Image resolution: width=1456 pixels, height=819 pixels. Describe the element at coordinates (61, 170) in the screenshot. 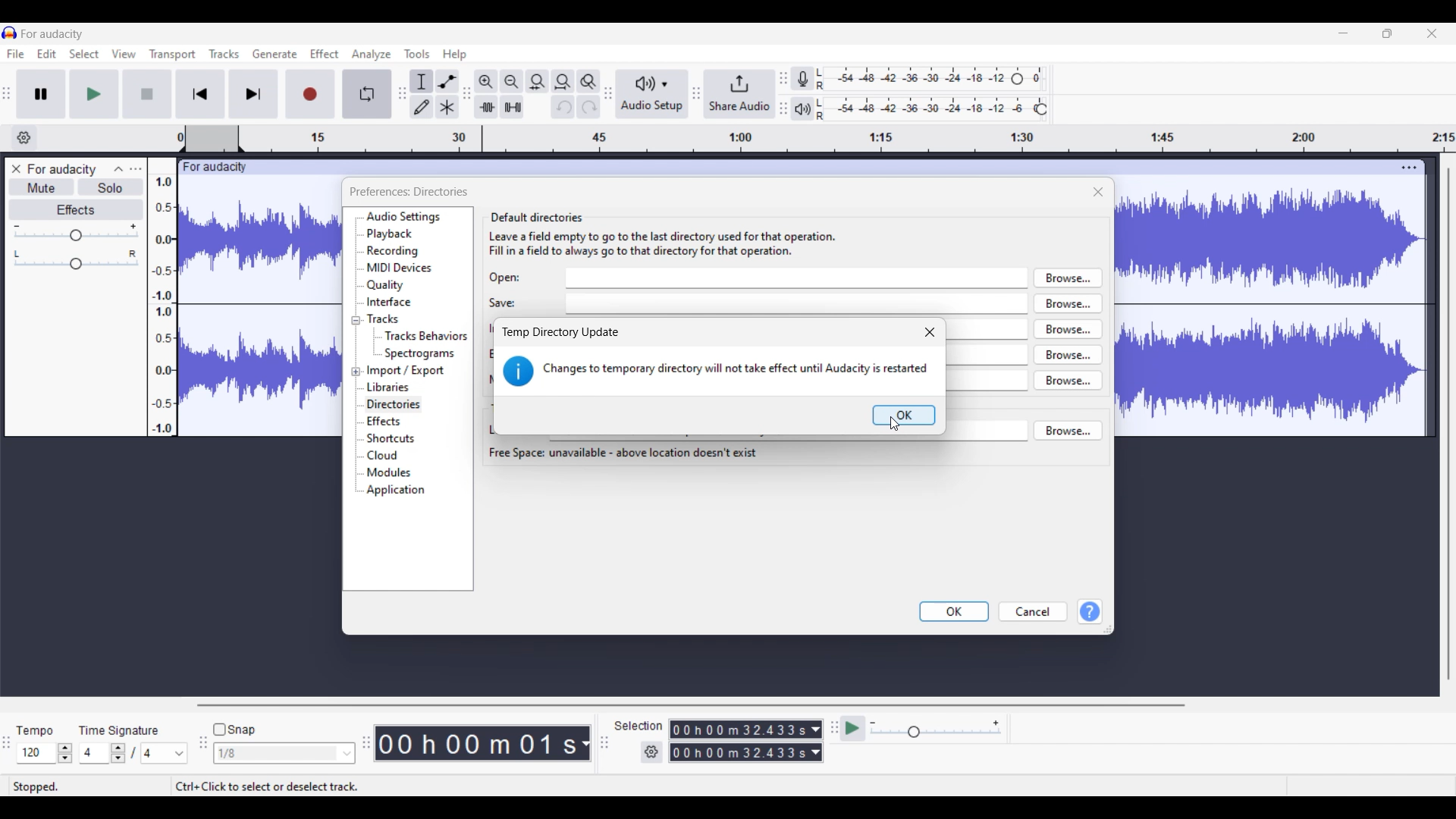

I see `Project name` at that location.